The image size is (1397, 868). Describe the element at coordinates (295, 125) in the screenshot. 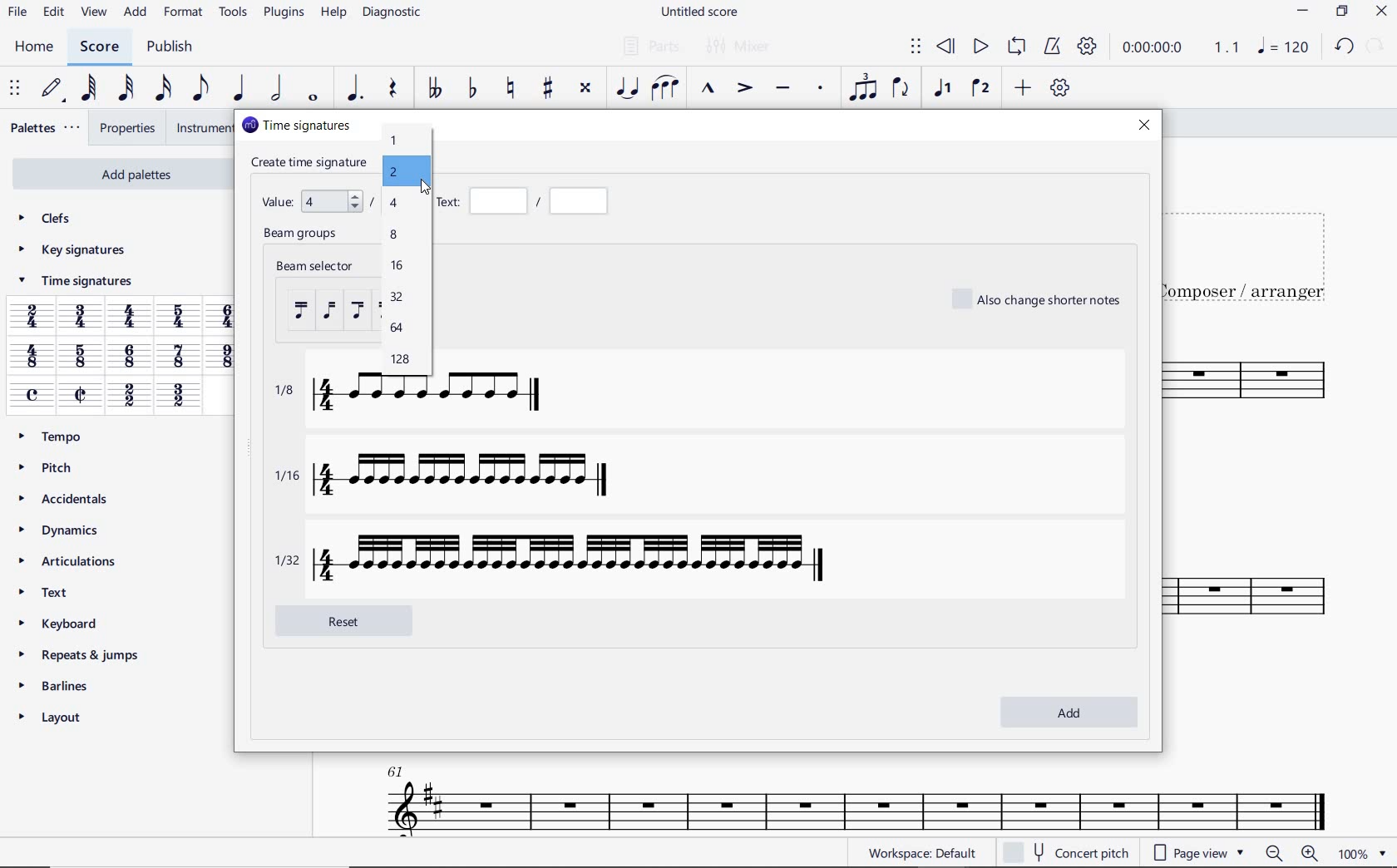

I see `time signatures` at that location.